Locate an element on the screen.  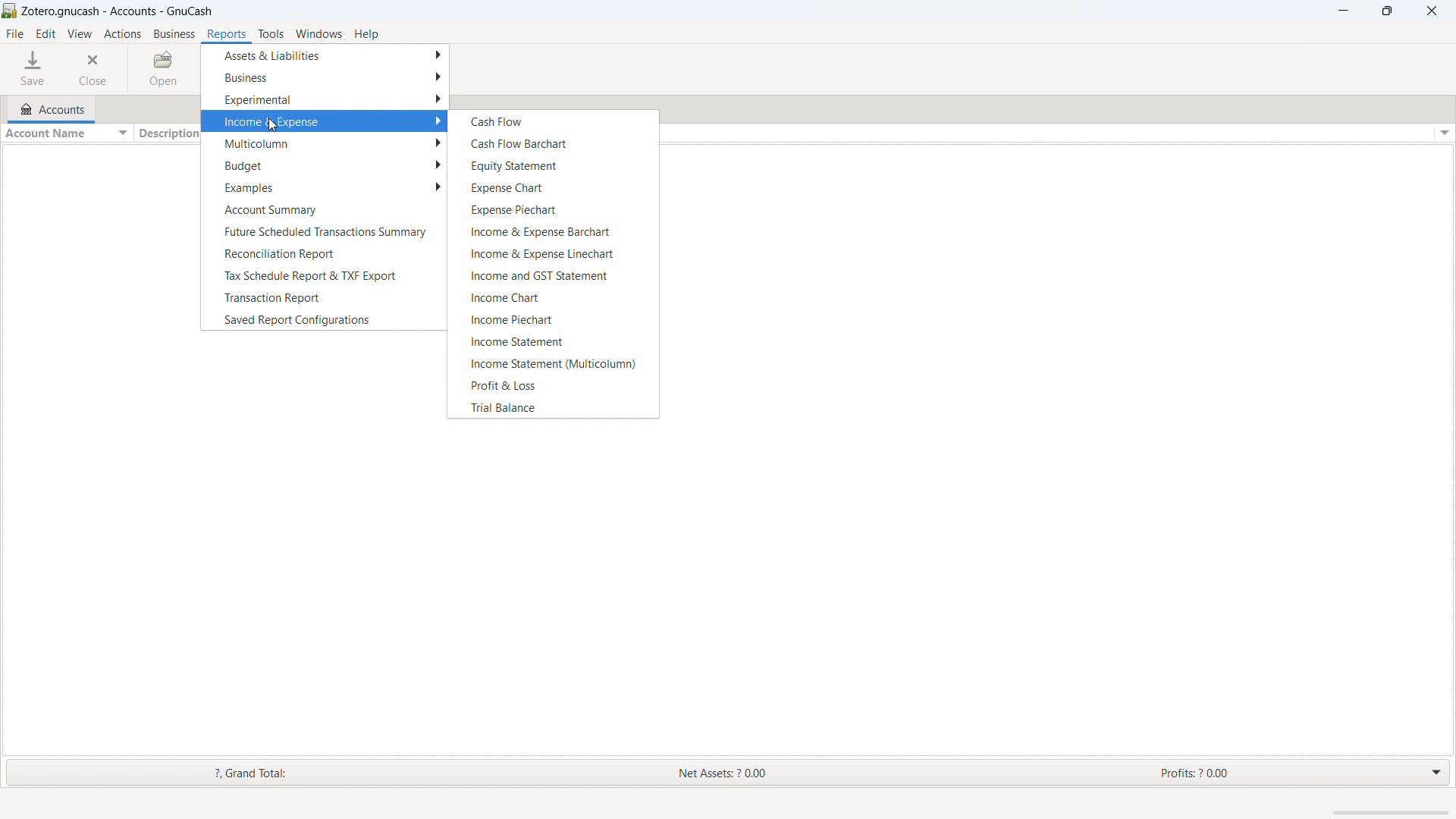
reports is located at coordinates (227, 34).